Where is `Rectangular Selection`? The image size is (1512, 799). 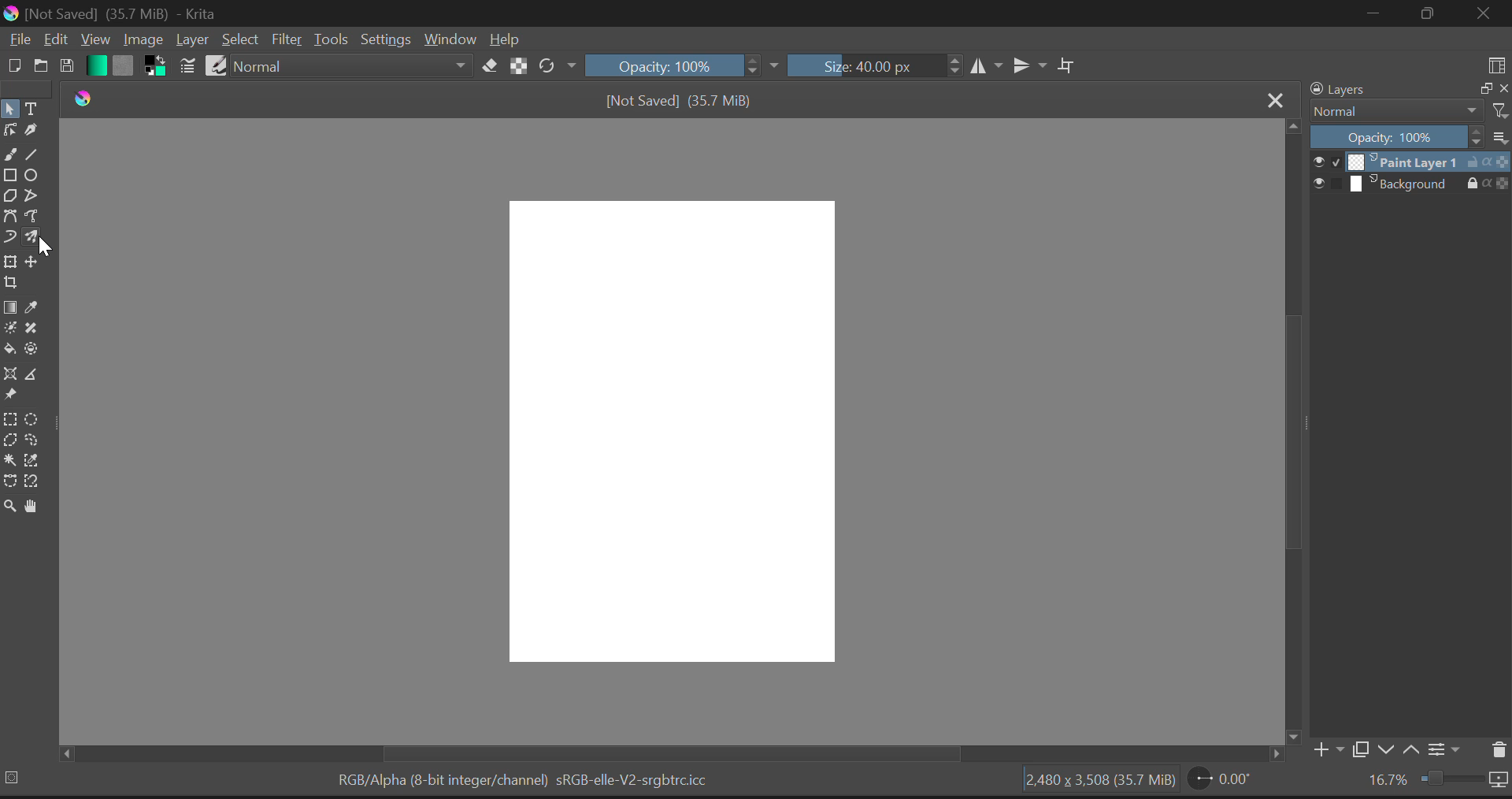
Rectangular Selection is located at coordinates (13, 420).